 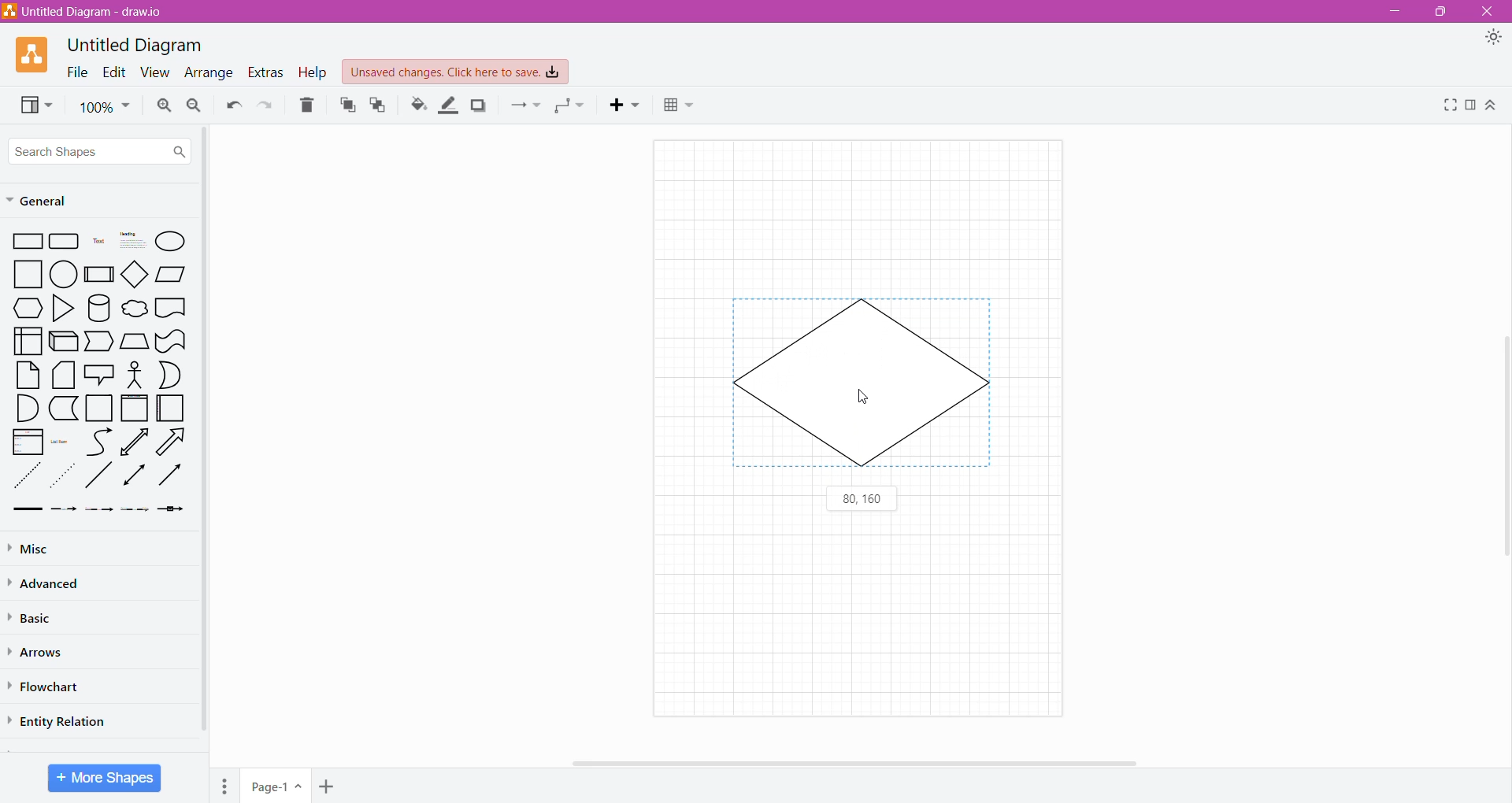 What do you see at coordinates (171, 411) in the screenshot?
I see `Horizontal Container` at bounding box center [171, 411].